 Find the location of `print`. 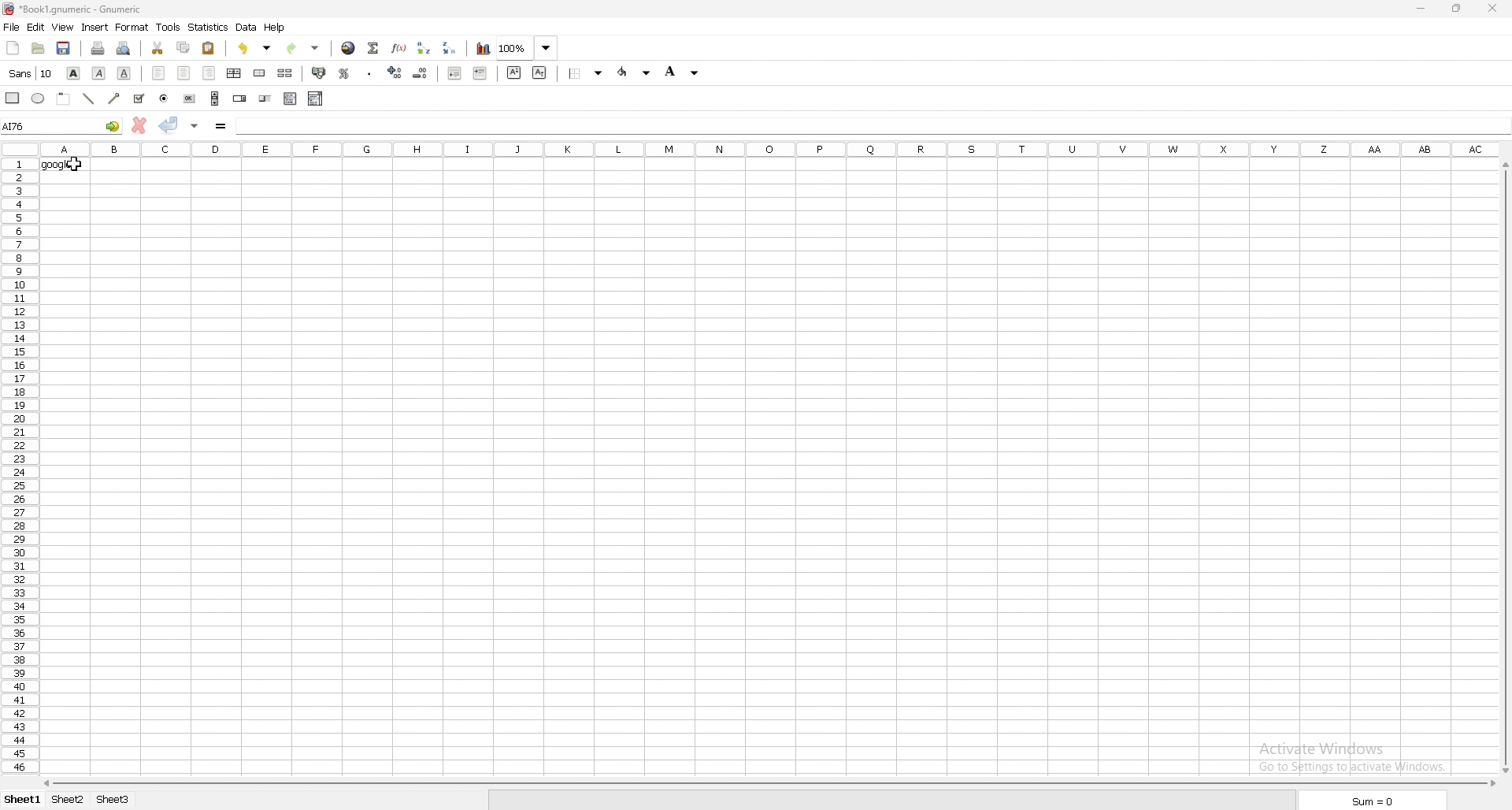

print is located at coordinates (98, 48).